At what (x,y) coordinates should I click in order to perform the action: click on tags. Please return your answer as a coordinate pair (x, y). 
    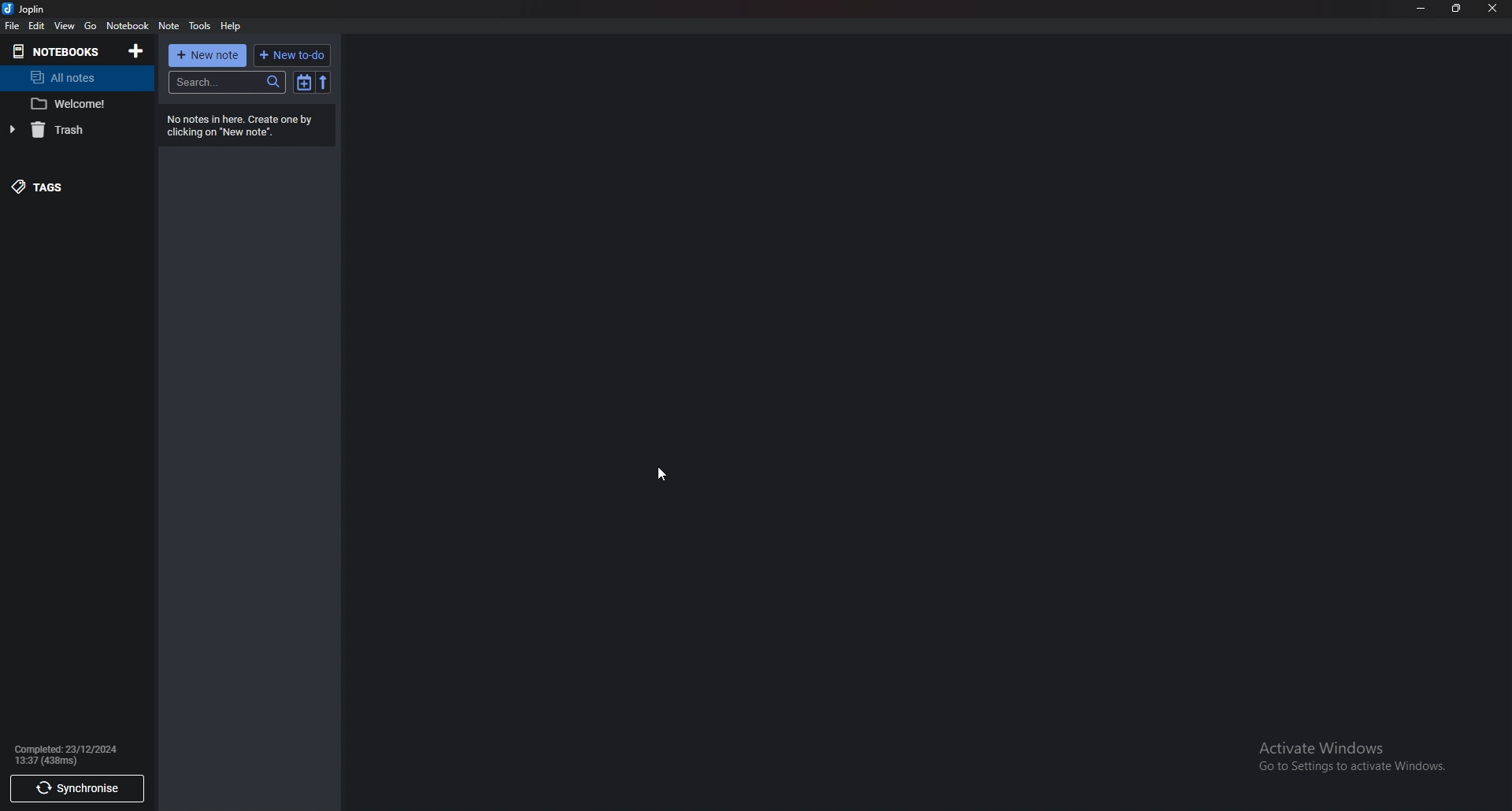
    Looking at the image, I should click on (68, 187).